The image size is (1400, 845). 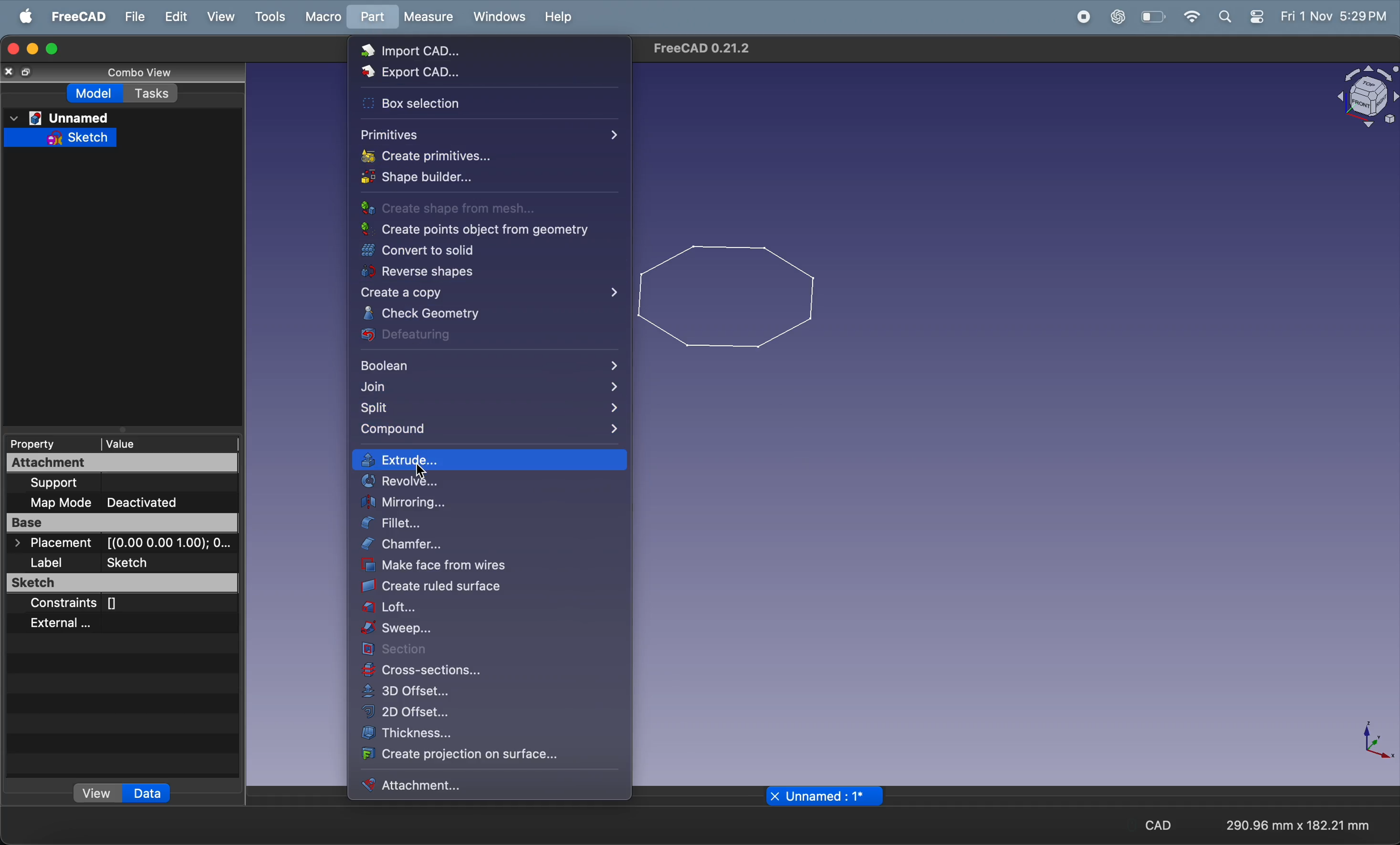 What do you see at coordinates (14, 49) in the screenshot?
I see `closing window` at bounding box center [14, 49].